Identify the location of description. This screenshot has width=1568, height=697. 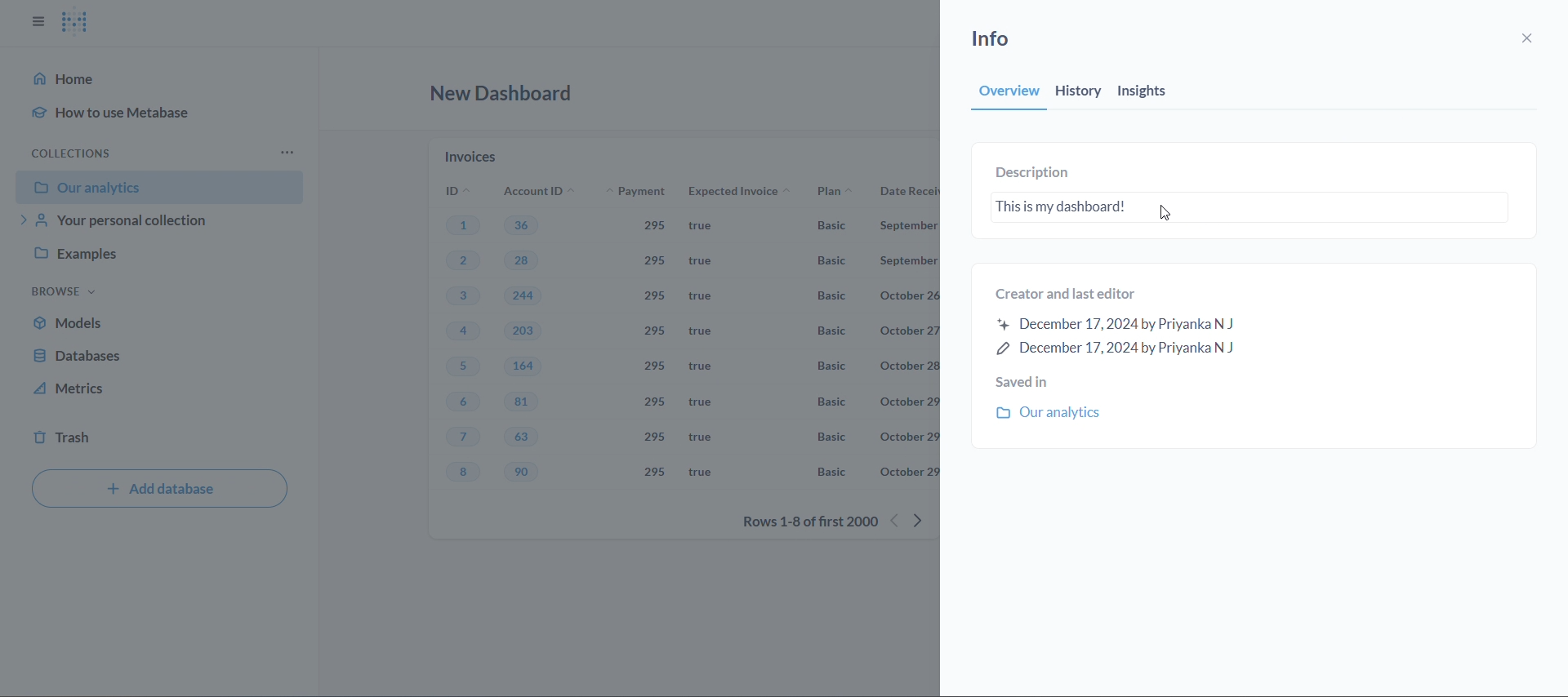
(1036, 174).